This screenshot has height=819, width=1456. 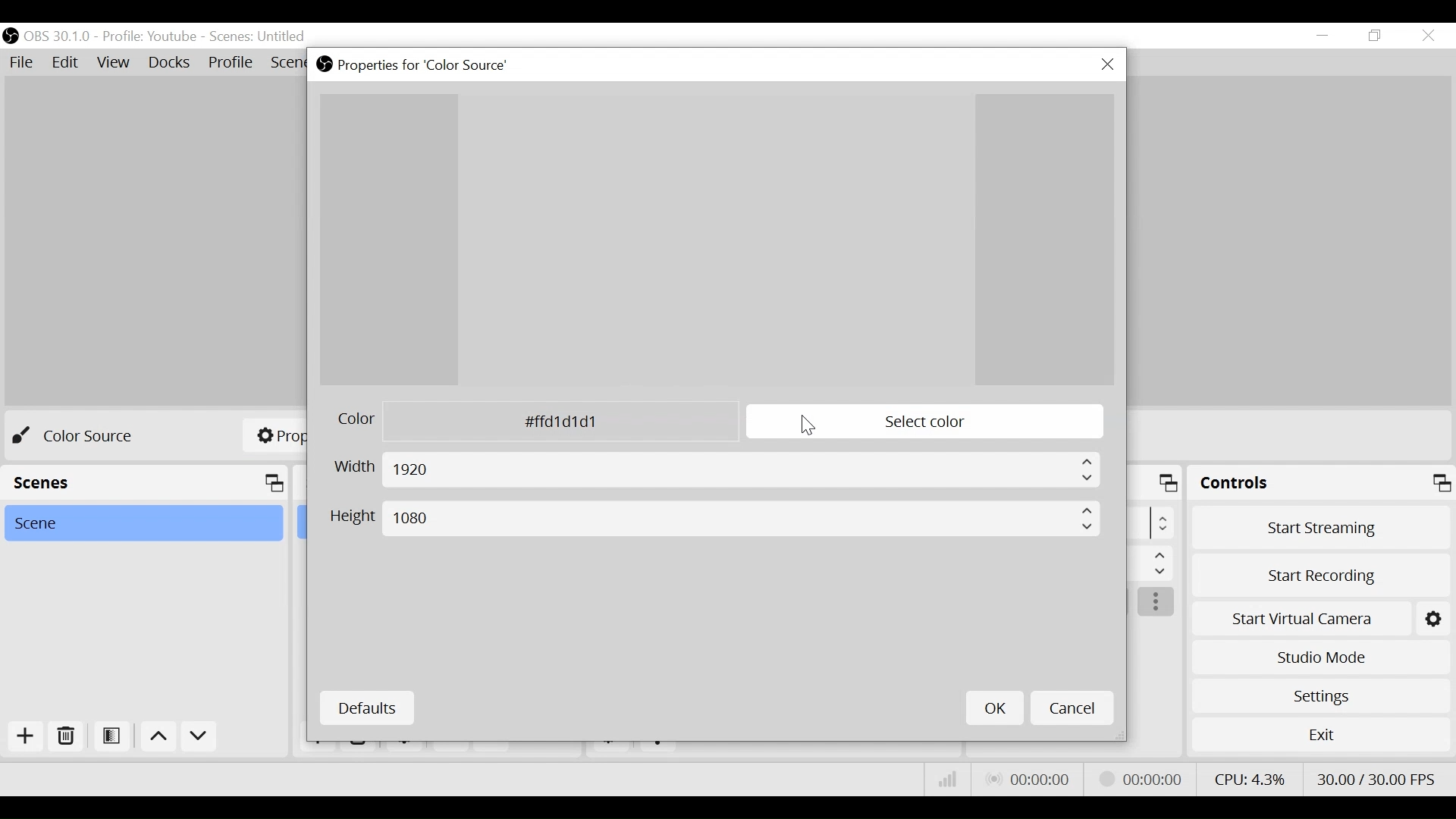 What do you see at coordinates (1376, 777) in the screenshot?
I see `Frame Per Second` at bounding box center [1376, 777].